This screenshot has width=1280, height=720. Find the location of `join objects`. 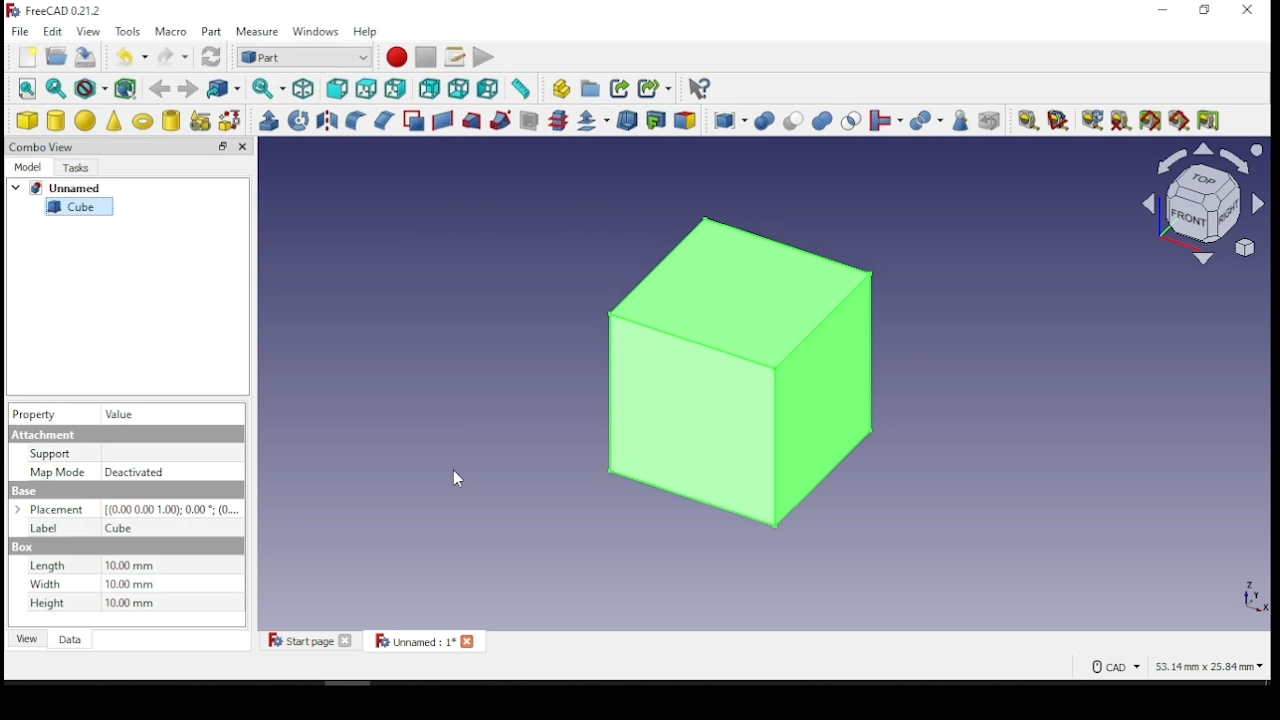

join objects is located at coordinates (886, 121).